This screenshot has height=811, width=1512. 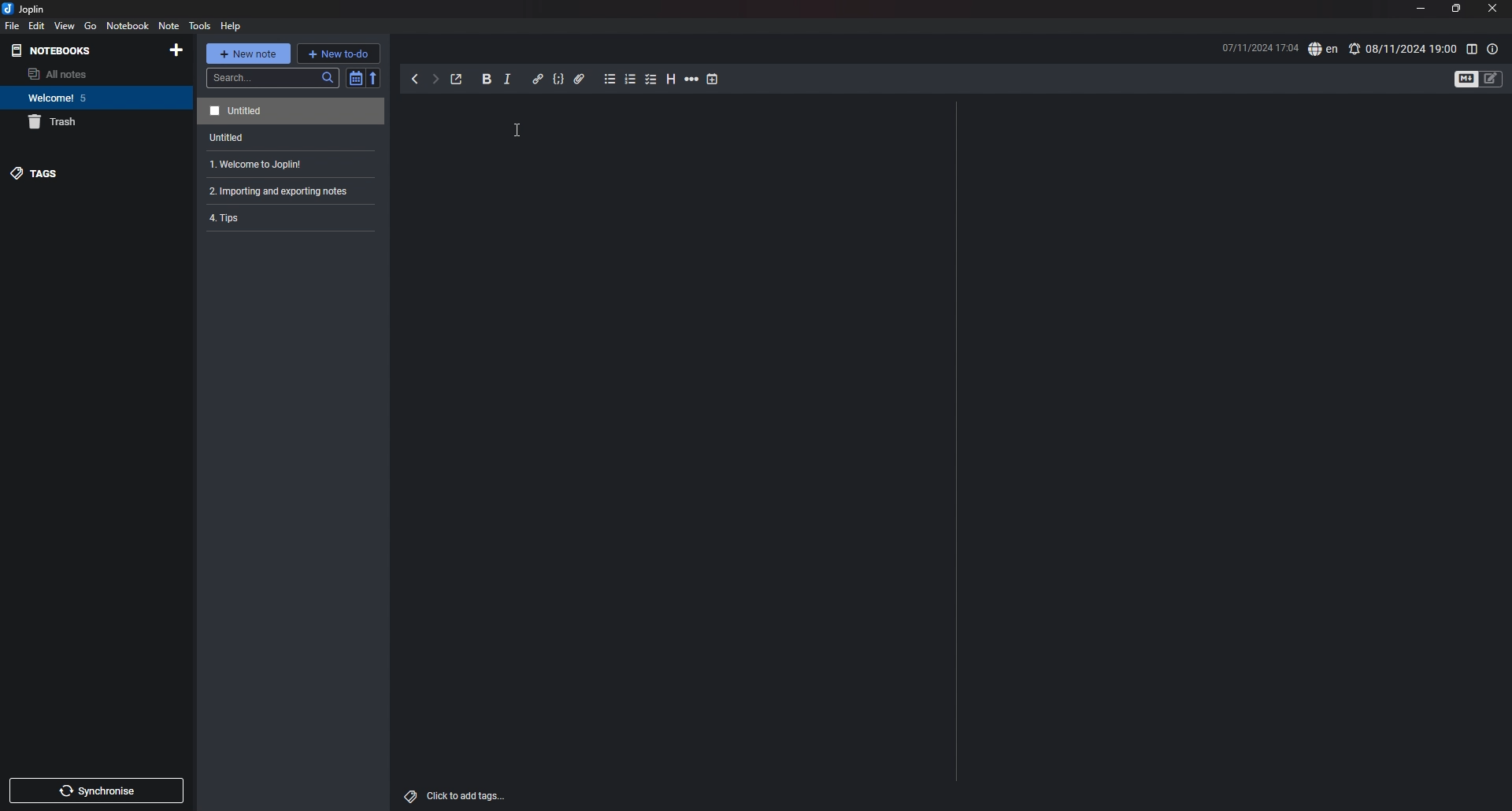 What do you see at coordinates (178, 50) in the screenshot?
I see `add notebook` at bounding box center [178, 50].